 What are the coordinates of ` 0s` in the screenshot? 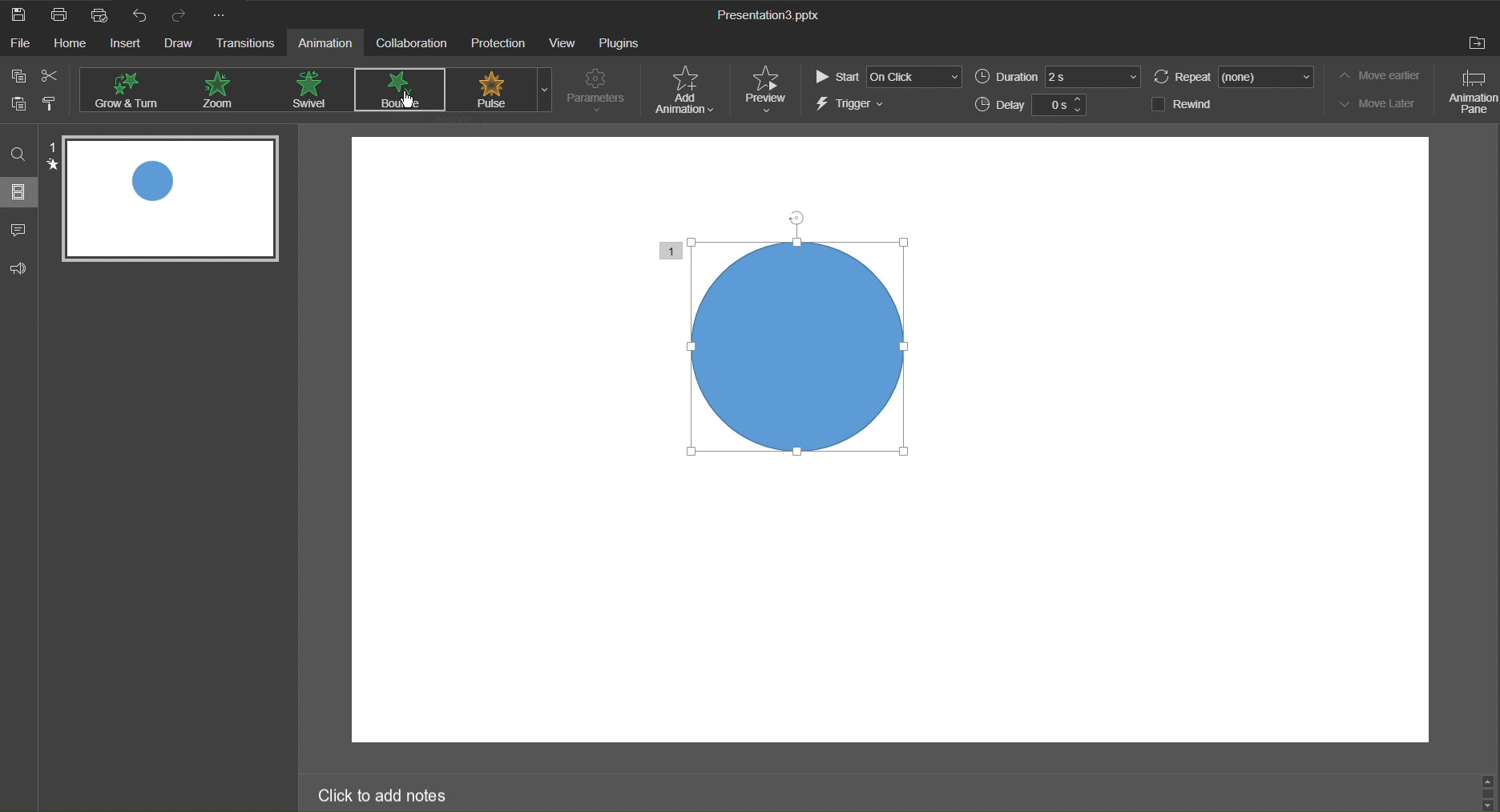 It's located at (1052, 106).